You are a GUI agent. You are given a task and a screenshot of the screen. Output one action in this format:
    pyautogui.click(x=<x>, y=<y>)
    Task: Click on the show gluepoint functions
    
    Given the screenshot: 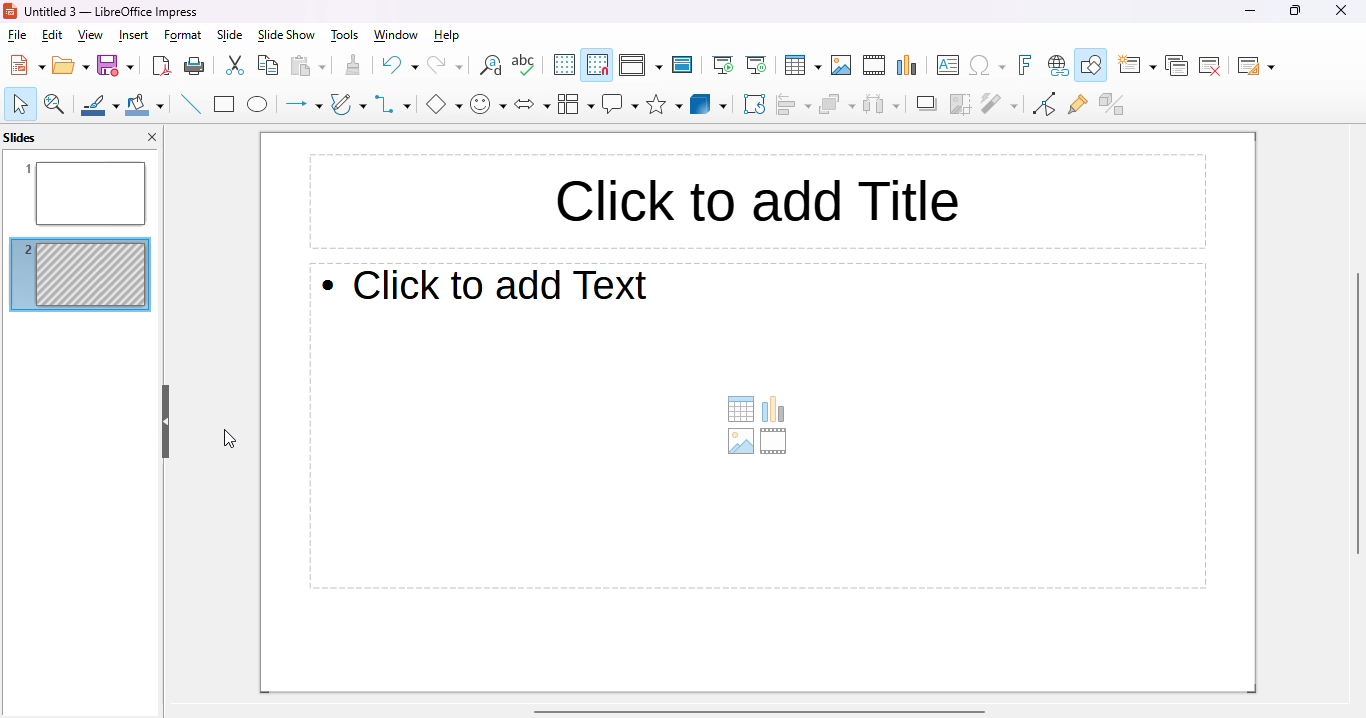 What is the action you would take?
    pyautogui.click(x=1077, y=105)
    